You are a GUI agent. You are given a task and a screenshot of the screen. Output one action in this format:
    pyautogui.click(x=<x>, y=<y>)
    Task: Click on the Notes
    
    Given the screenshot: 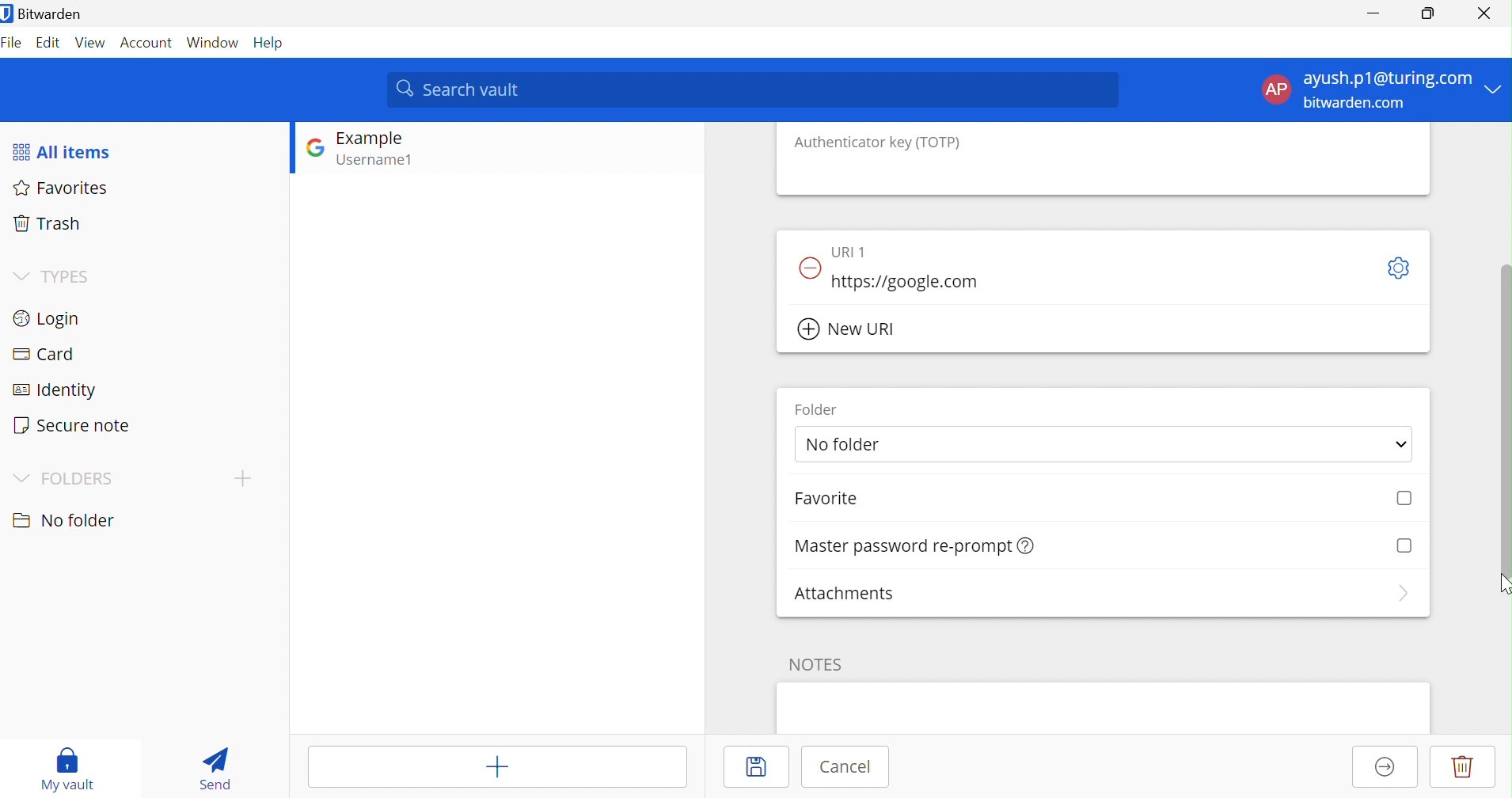 What is the action you would take?
    pyautogui.click(x=817, y=663)
    